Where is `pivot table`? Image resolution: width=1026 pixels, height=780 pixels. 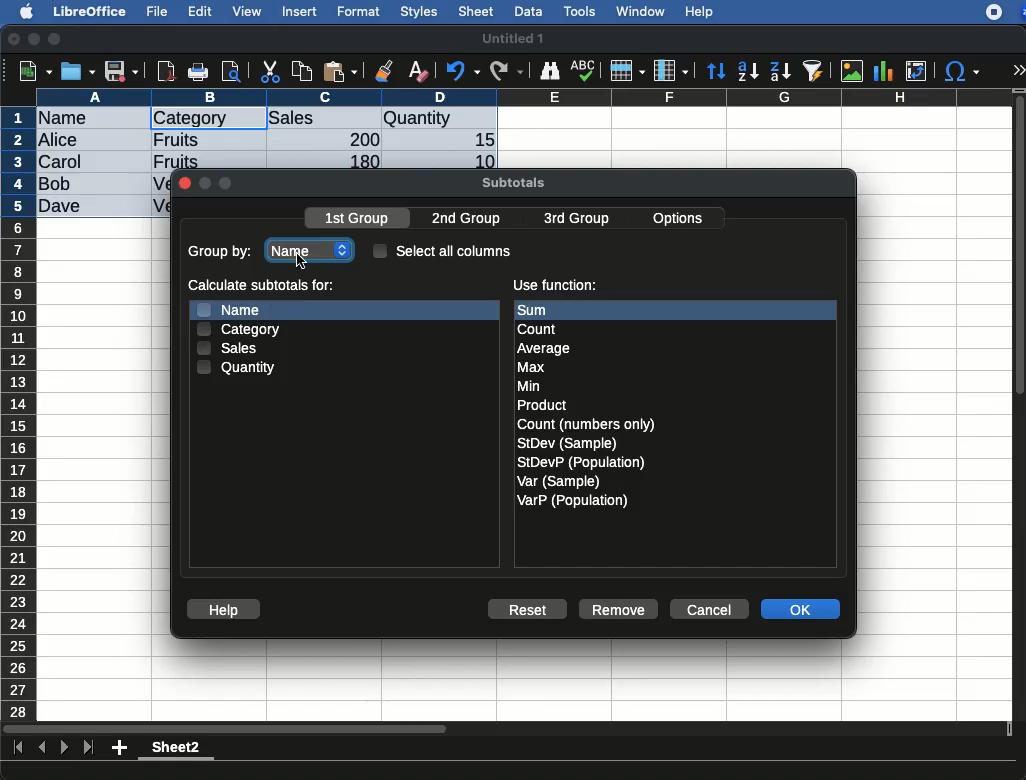 pivot table is located at coordinates (916, 71).